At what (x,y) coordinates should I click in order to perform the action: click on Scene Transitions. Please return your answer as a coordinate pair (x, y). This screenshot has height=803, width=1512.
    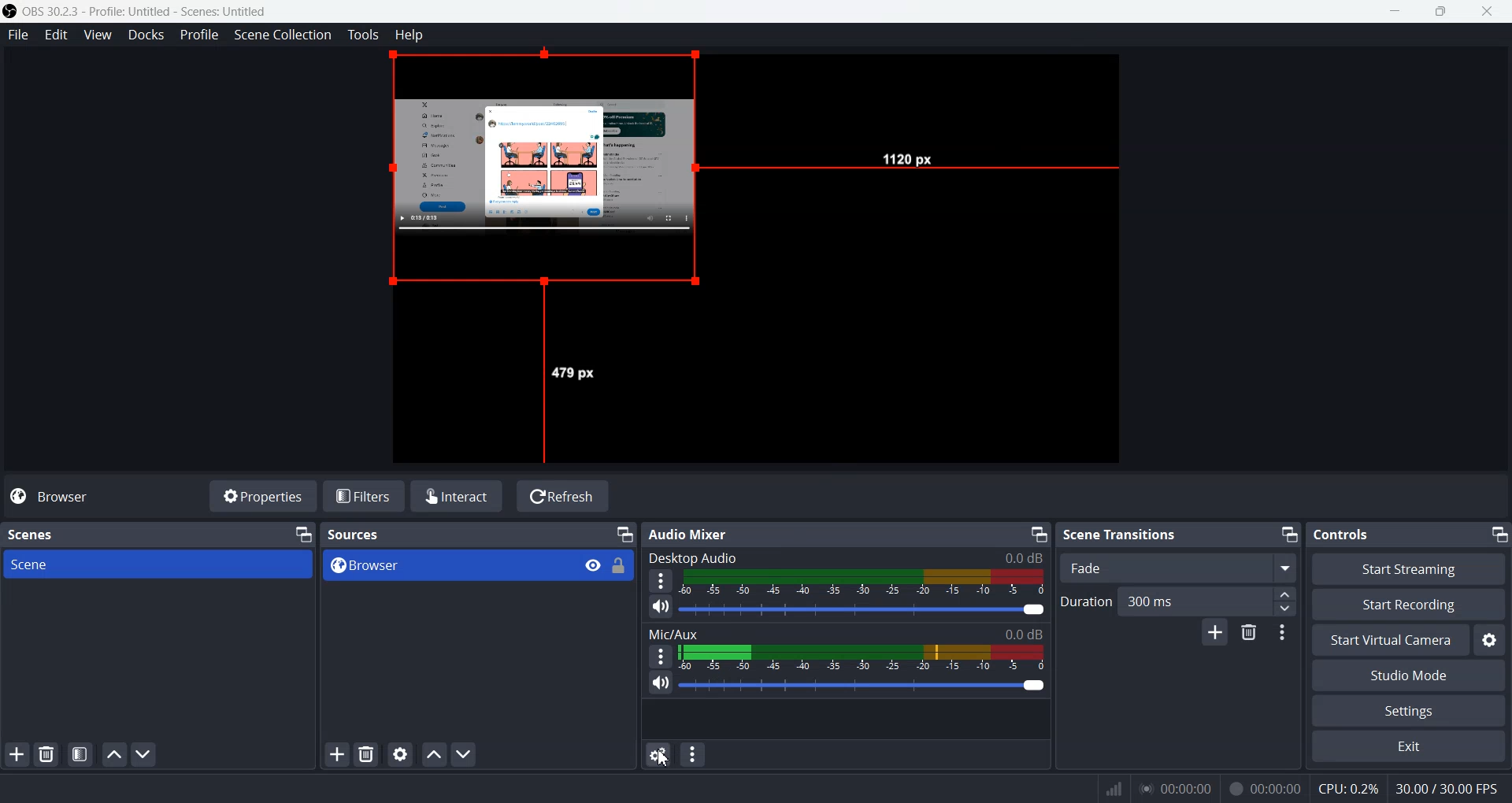
    Looking at the image, I should click on (1121, 534).